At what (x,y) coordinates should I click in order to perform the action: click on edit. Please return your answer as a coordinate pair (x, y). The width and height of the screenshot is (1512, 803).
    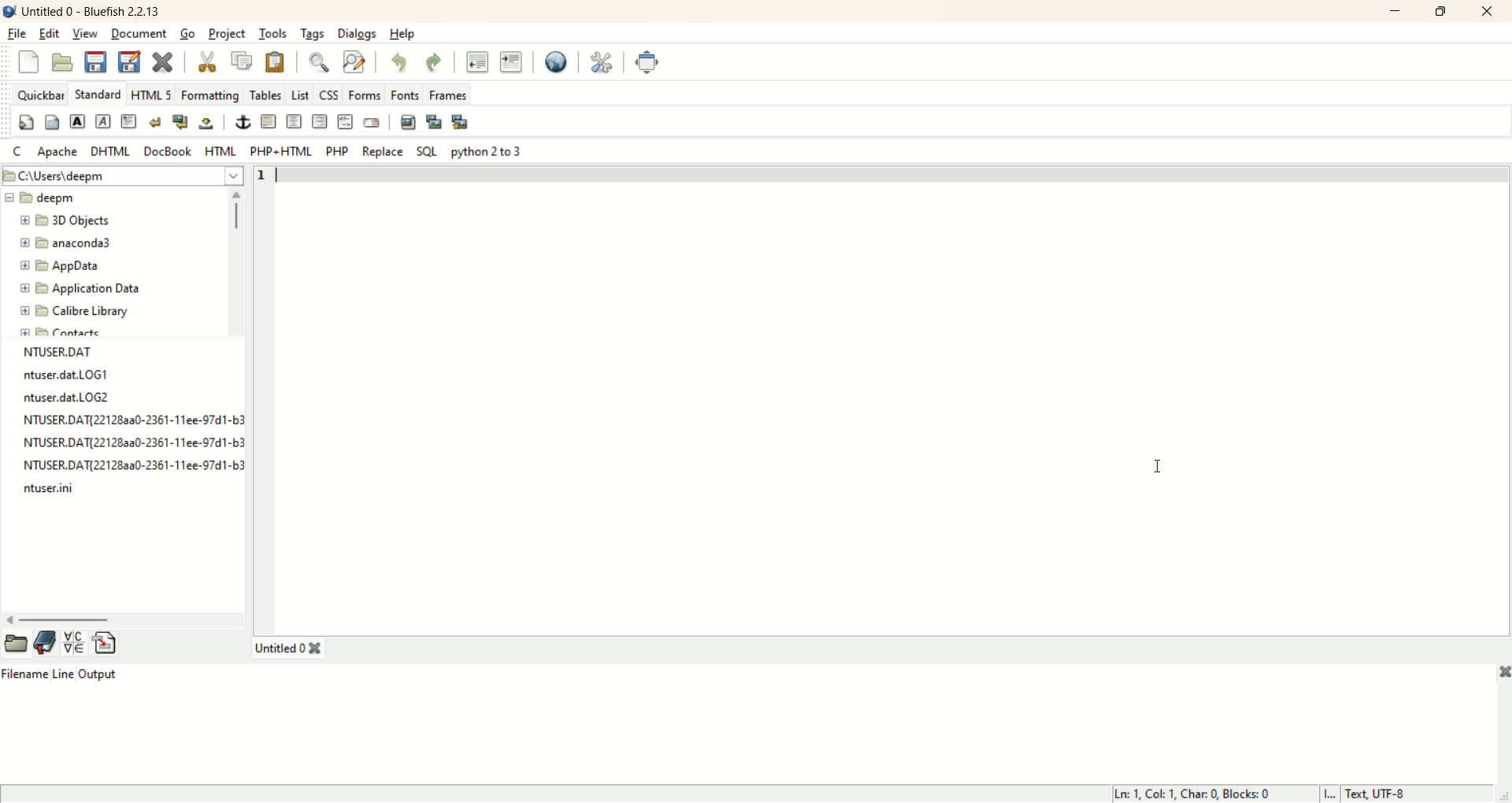
    Looking at the image, I should click on (48, 34).